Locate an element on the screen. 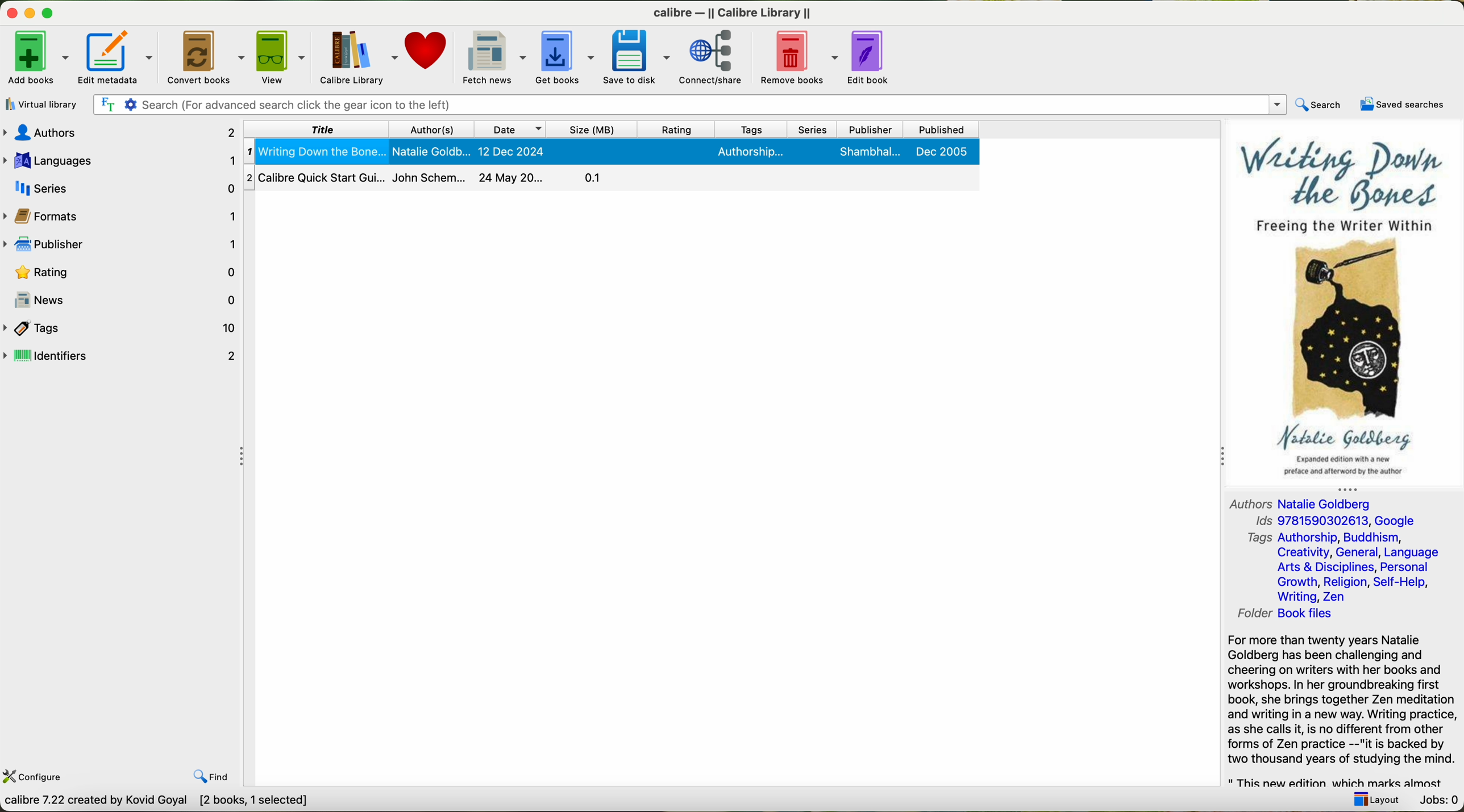 The width and height of the screenshot is (1464, 812). save to disk is located at coordinates (639, 56).